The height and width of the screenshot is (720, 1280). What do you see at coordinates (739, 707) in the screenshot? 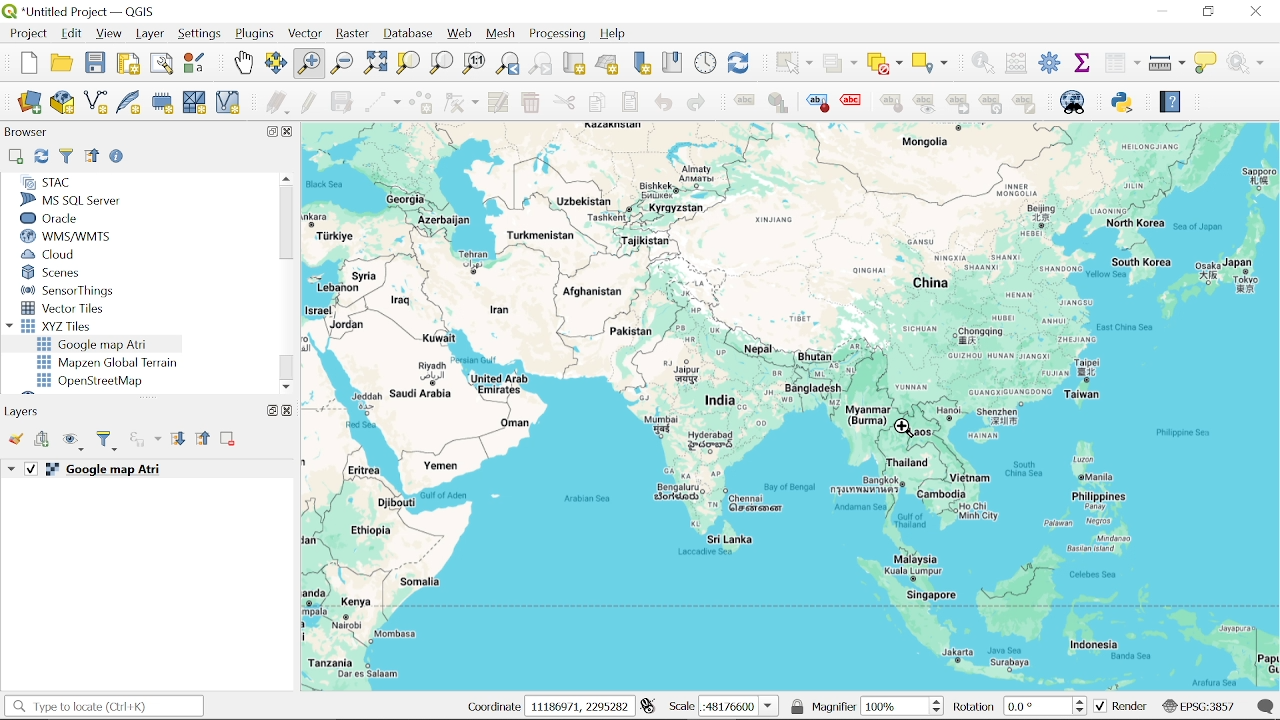
I see `Scale` at bounding box center [739, 707].